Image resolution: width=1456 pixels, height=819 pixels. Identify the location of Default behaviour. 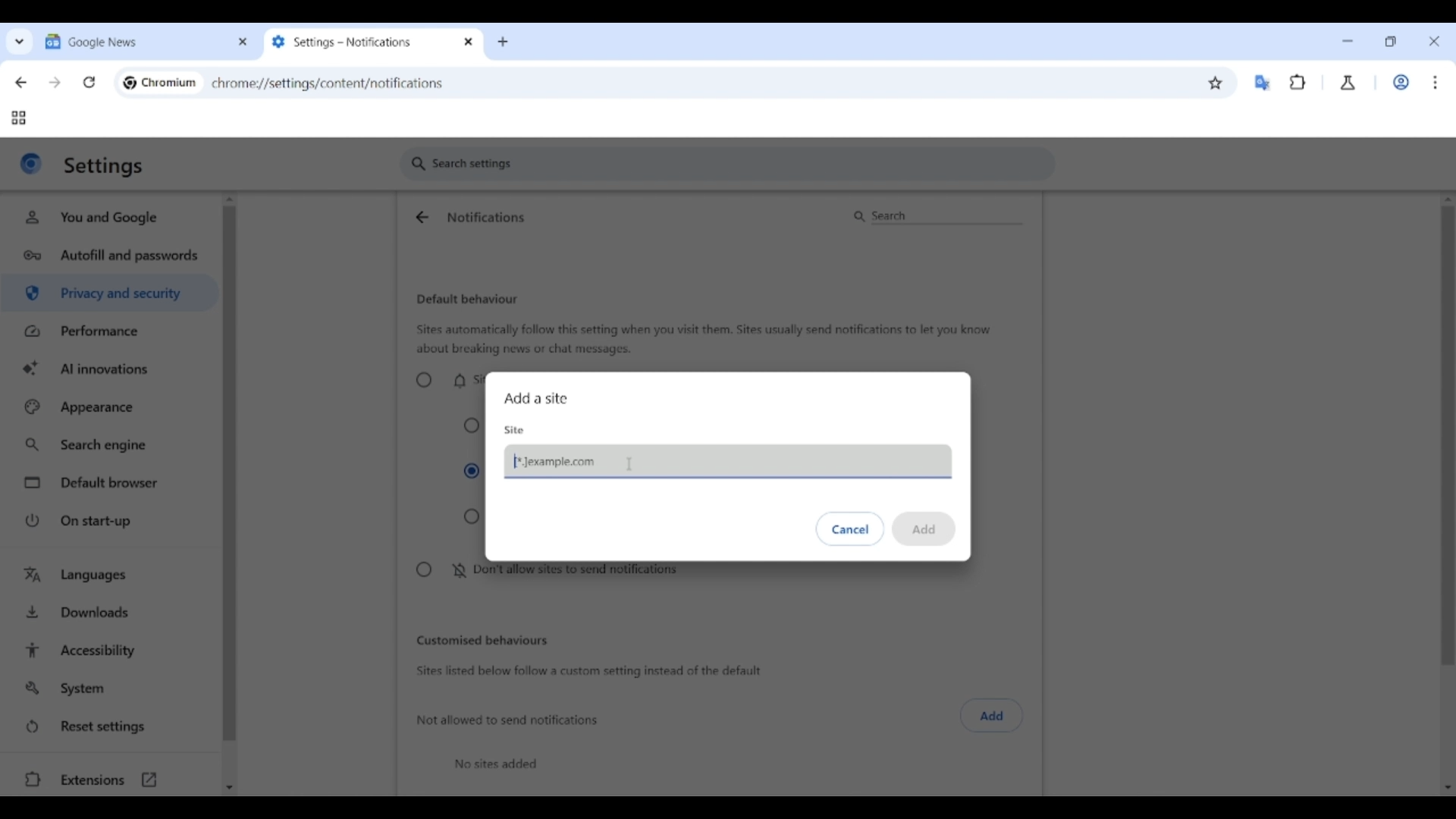
(467, 300).